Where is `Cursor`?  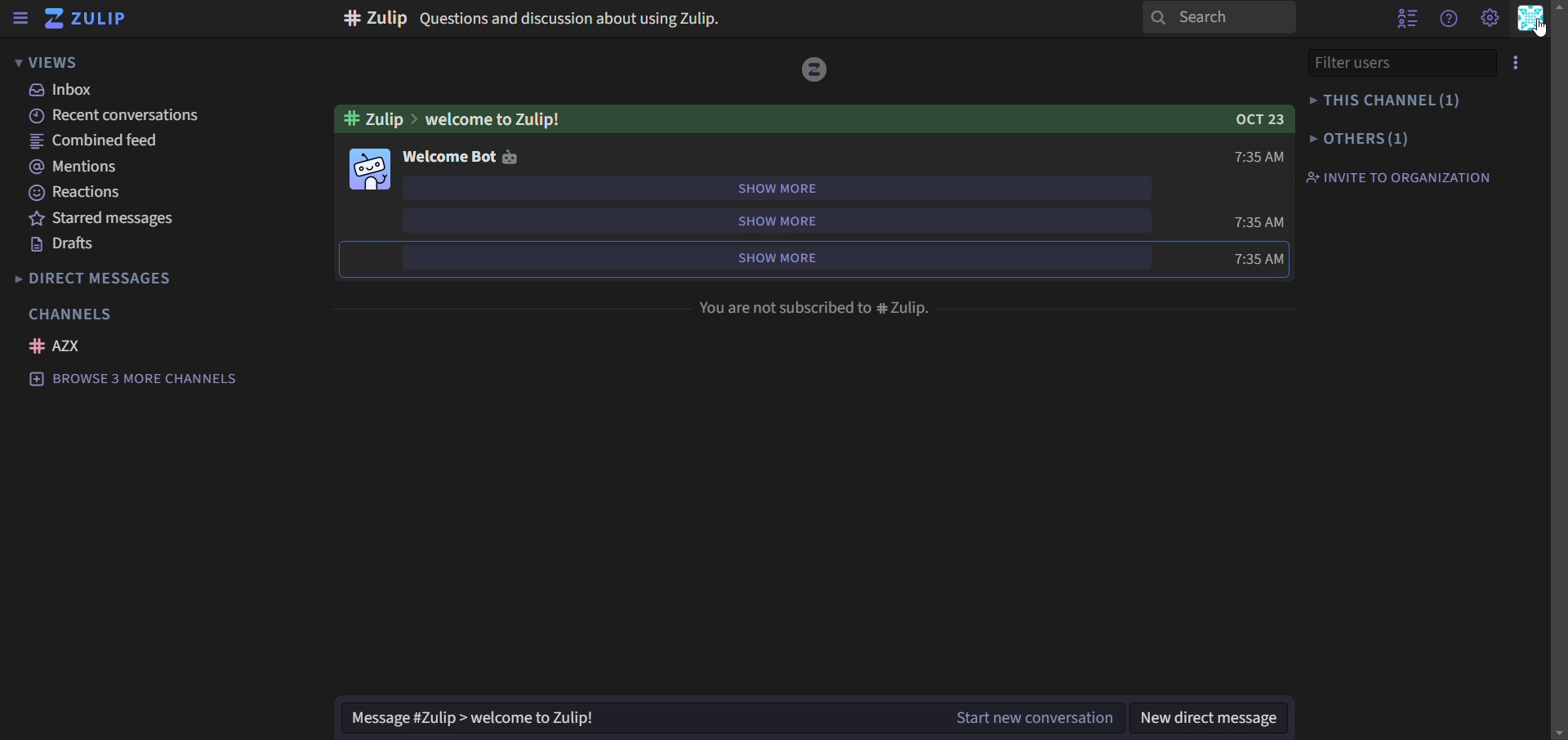 Cursor is located at coordinates (1531, 30).